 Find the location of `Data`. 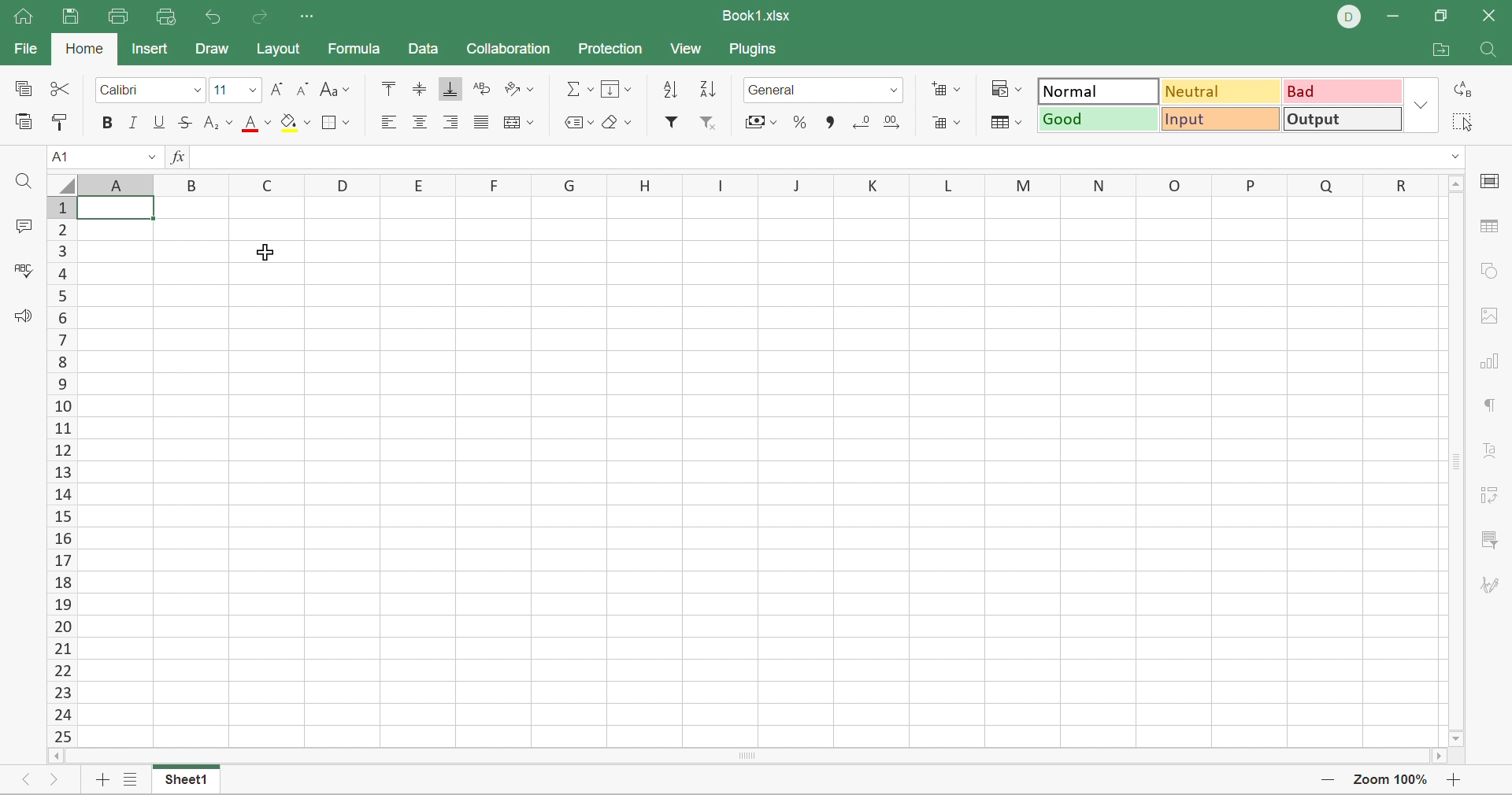

Data is located at coordinates (426, 51).